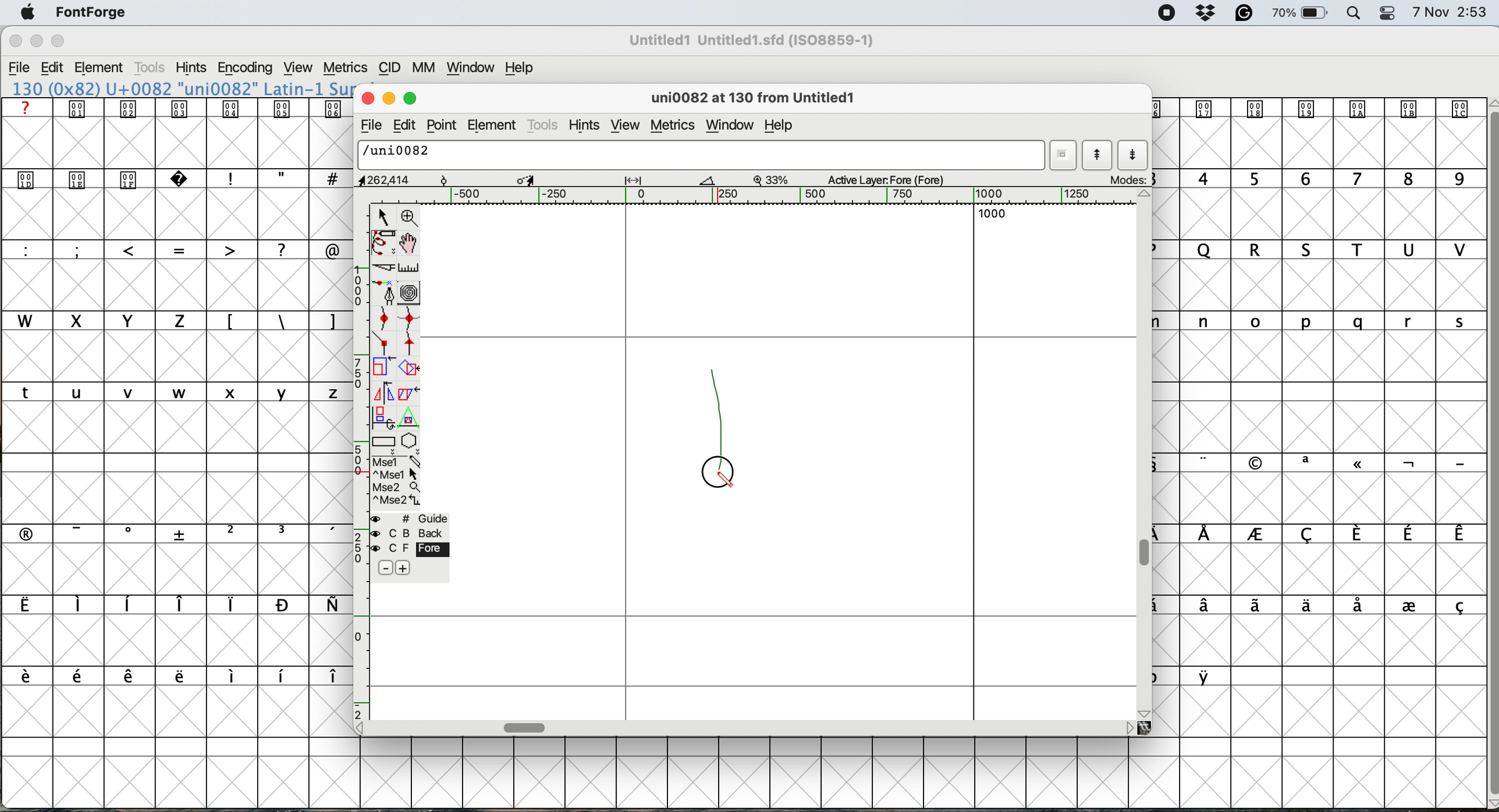  Describe the element at coordinates (382, 243) in the screenshot. I see `draw freehand curve` at that location.